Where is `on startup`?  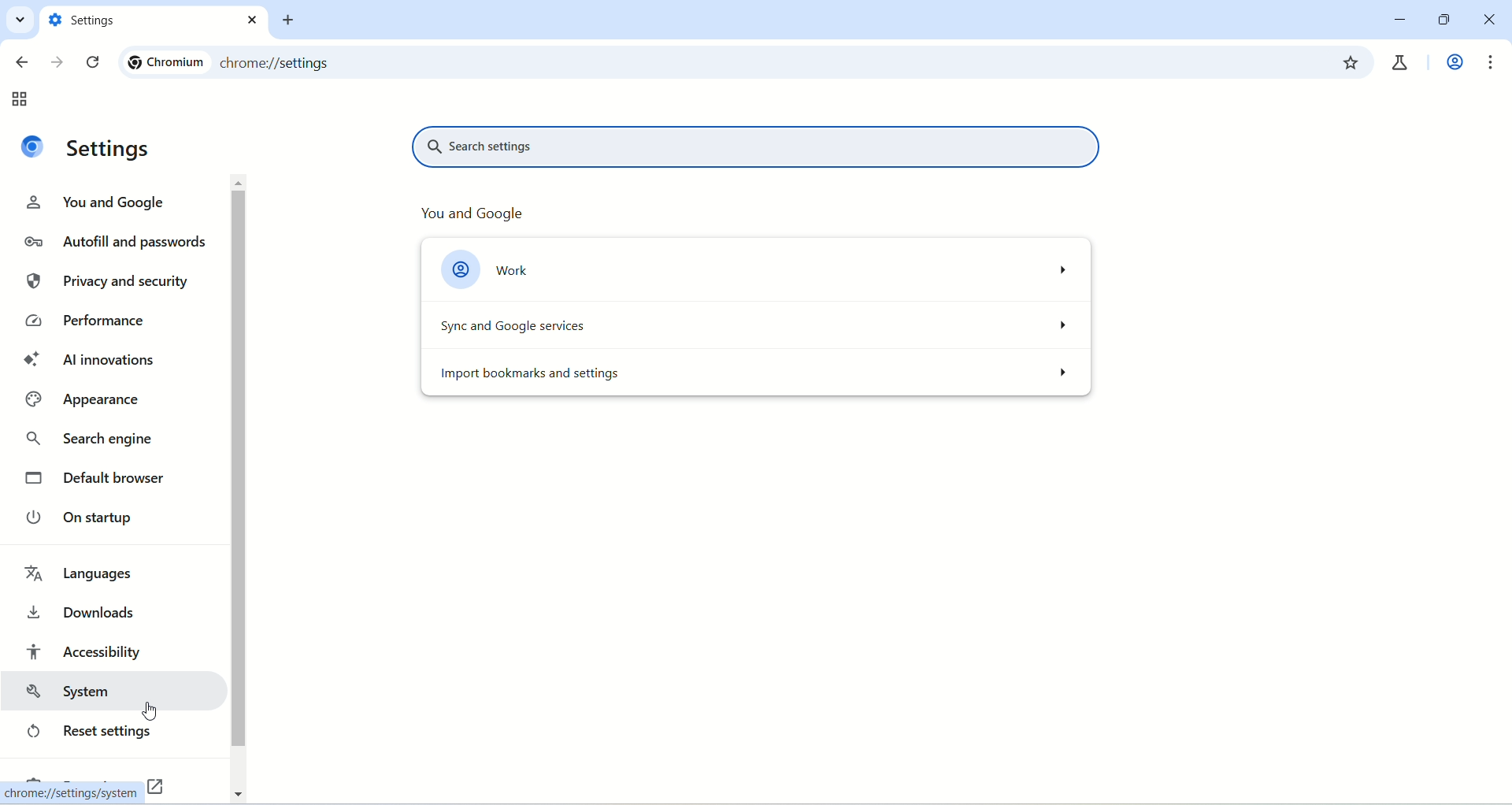 on startup is located at coordinates (84, 516).